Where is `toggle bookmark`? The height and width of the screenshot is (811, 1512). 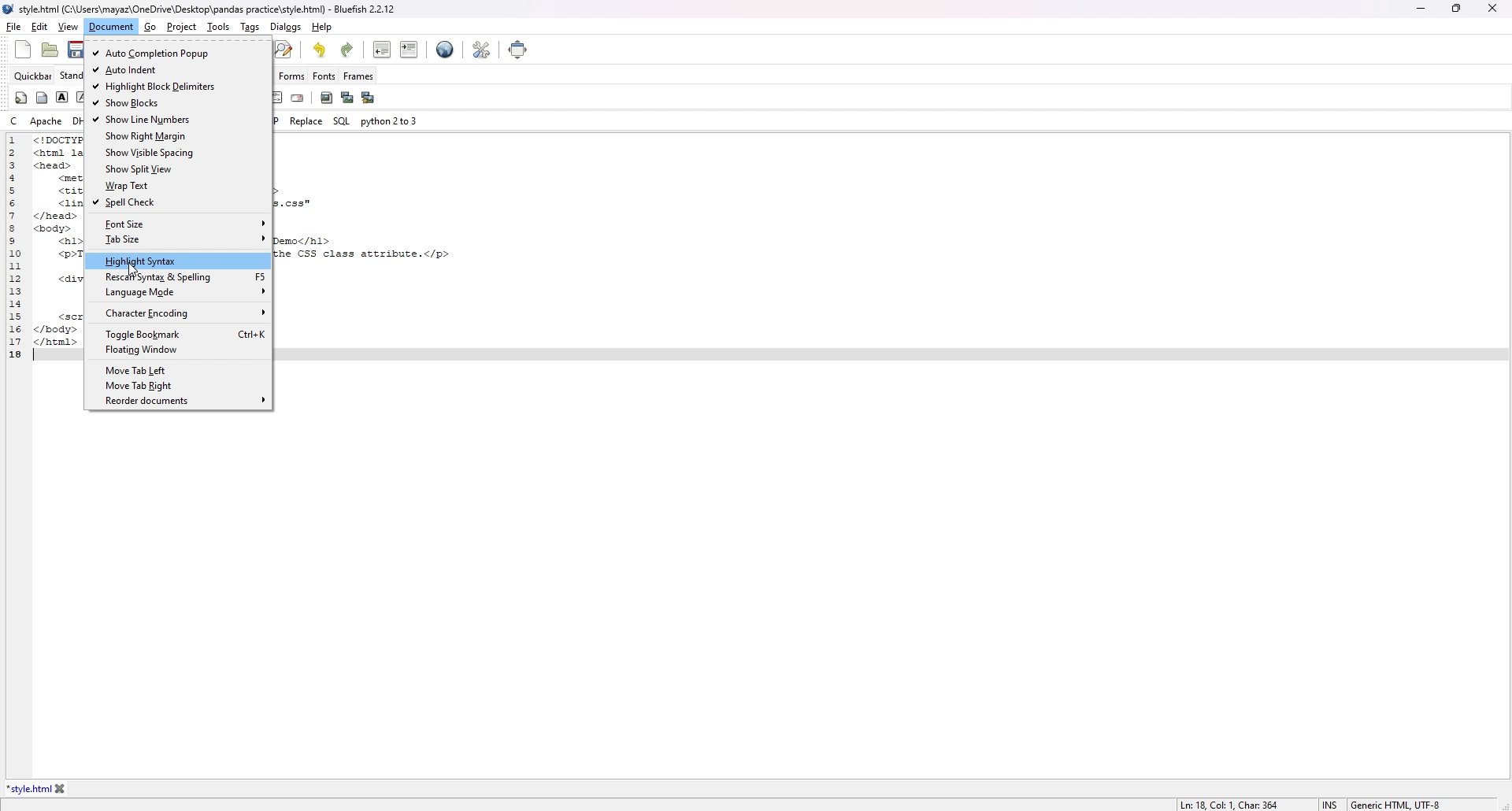 toggle bookmark is located at coordinates (180, 335).